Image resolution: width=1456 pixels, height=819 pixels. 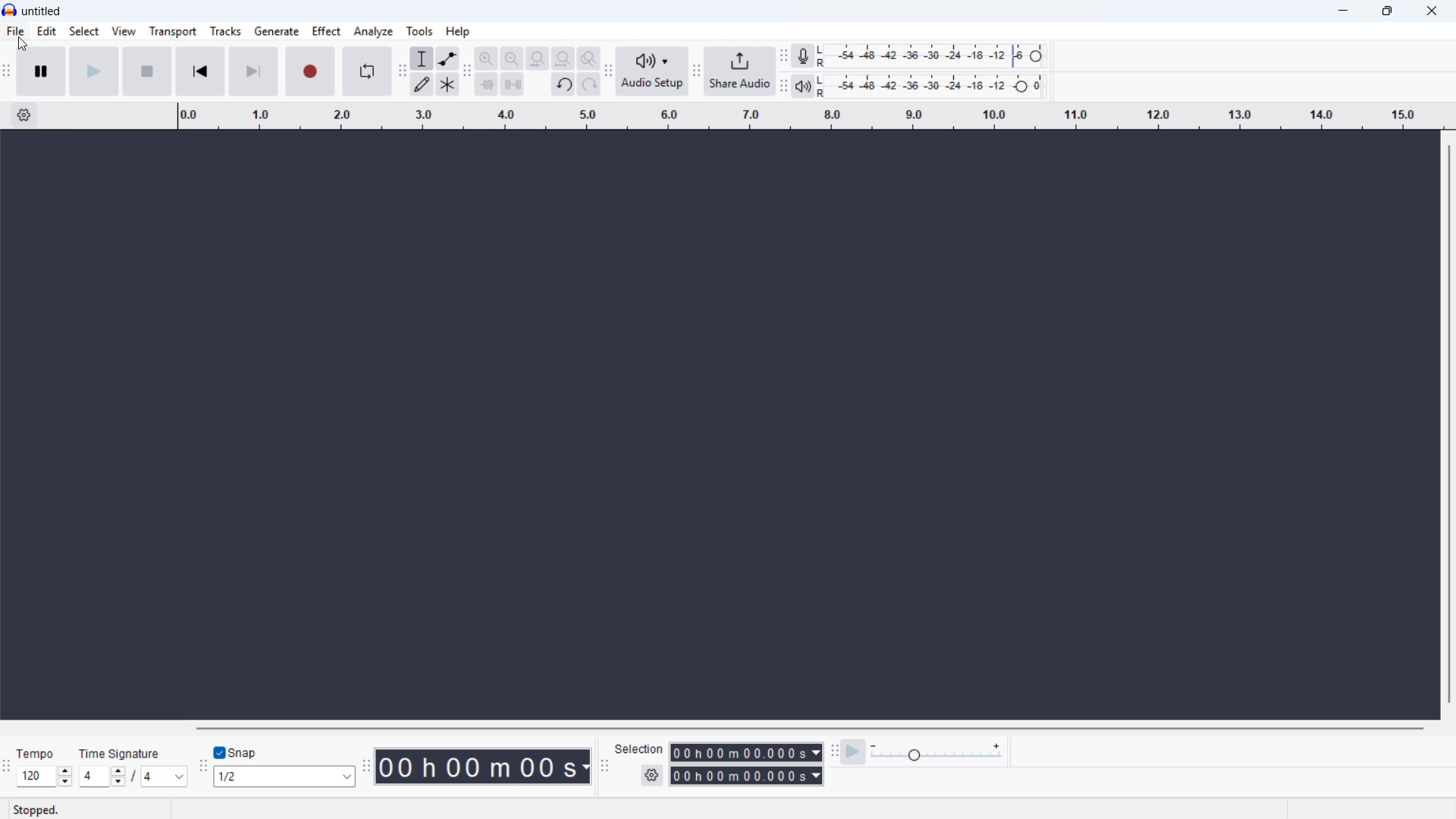 What do you see at coordinates (487, 83) in the screenshot?
I see `Trim audio outside selection ` at bounding box center [487, 83].